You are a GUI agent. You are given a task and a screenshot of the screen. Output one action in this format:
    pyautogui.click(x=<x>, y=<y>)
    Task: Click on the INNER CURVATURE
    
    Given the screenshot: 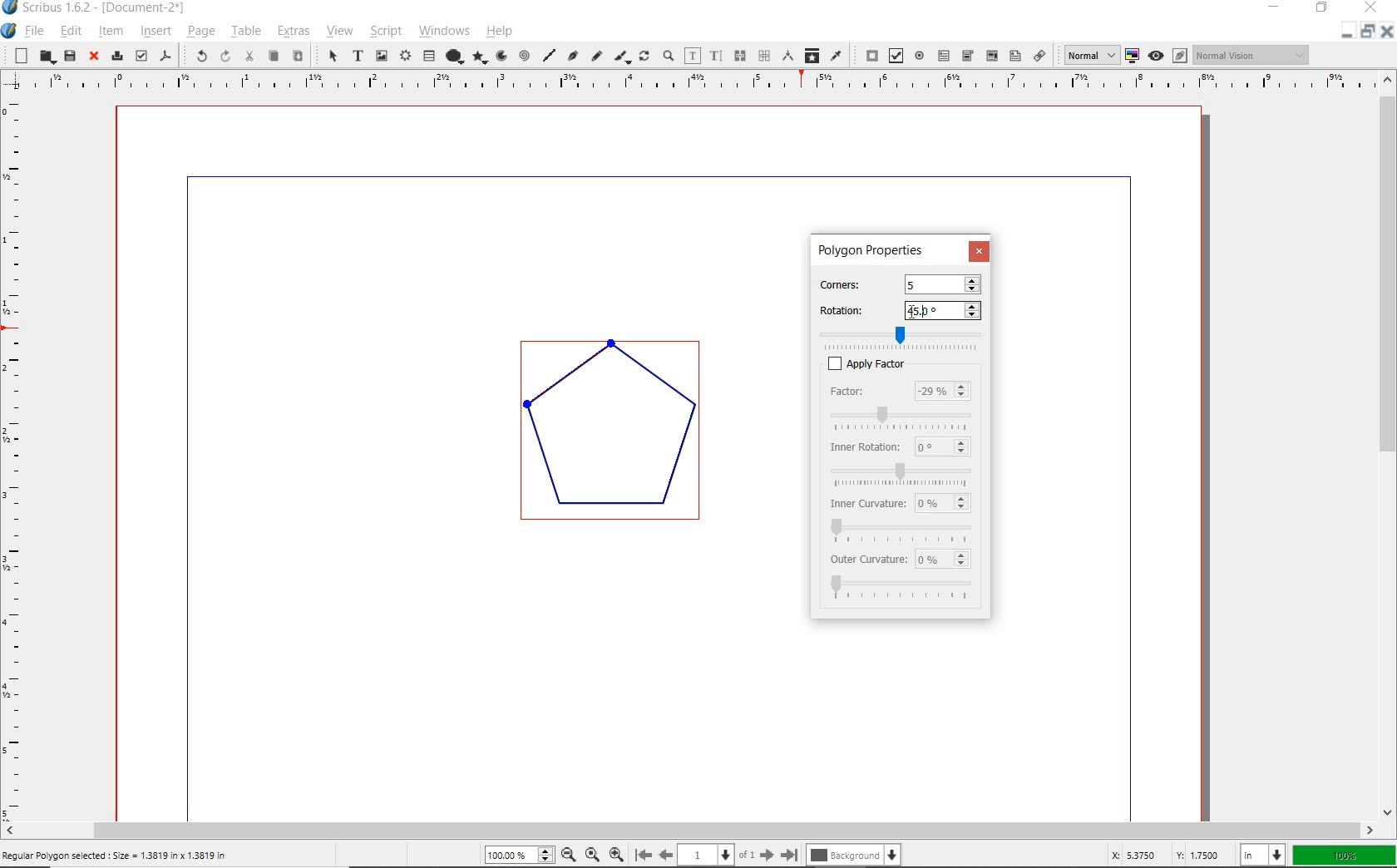 What is the action you would take?
    pyautogui.click(x=865, y=502)
    